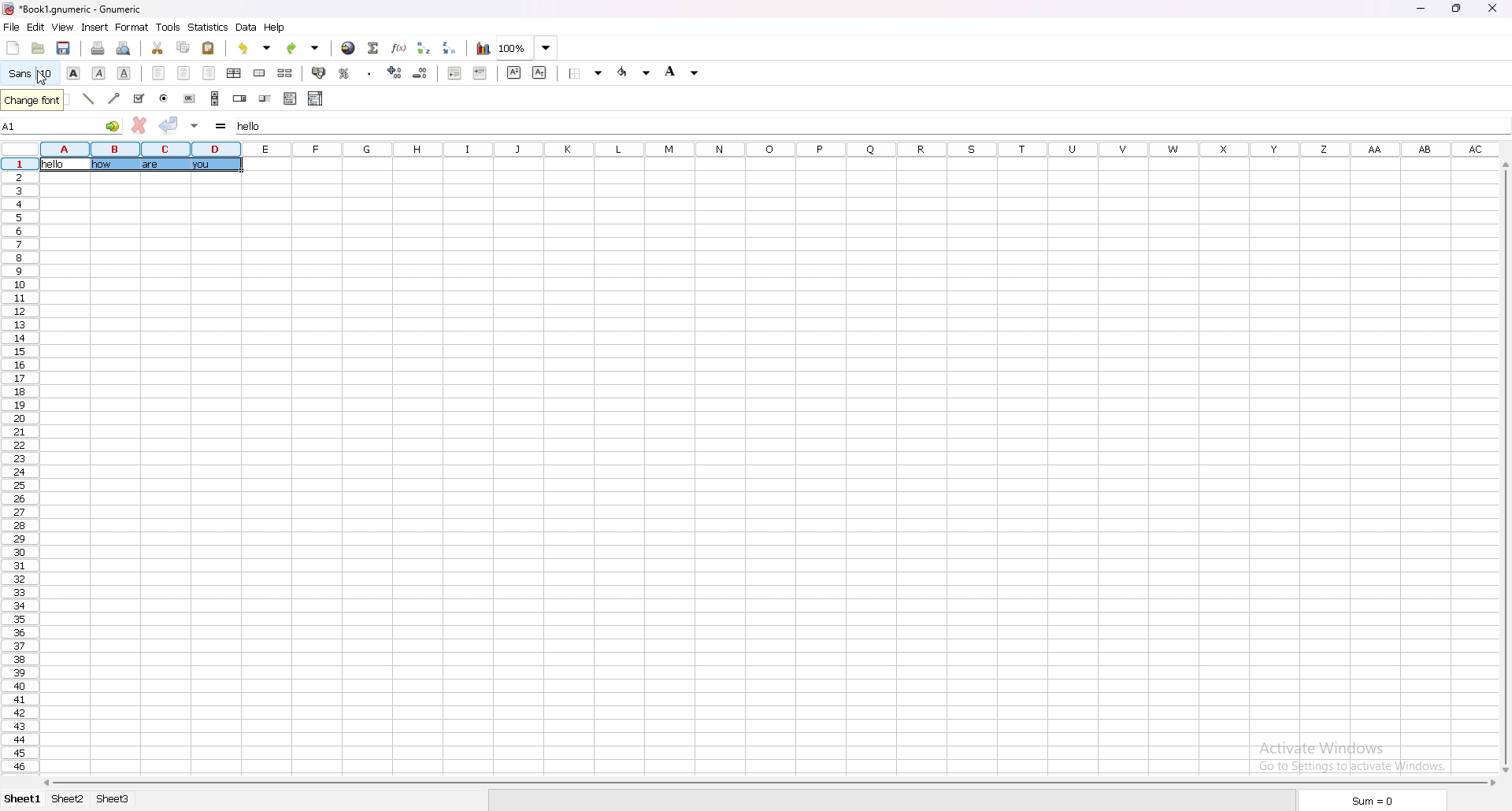  I want to click on copy, so click(183, 47).